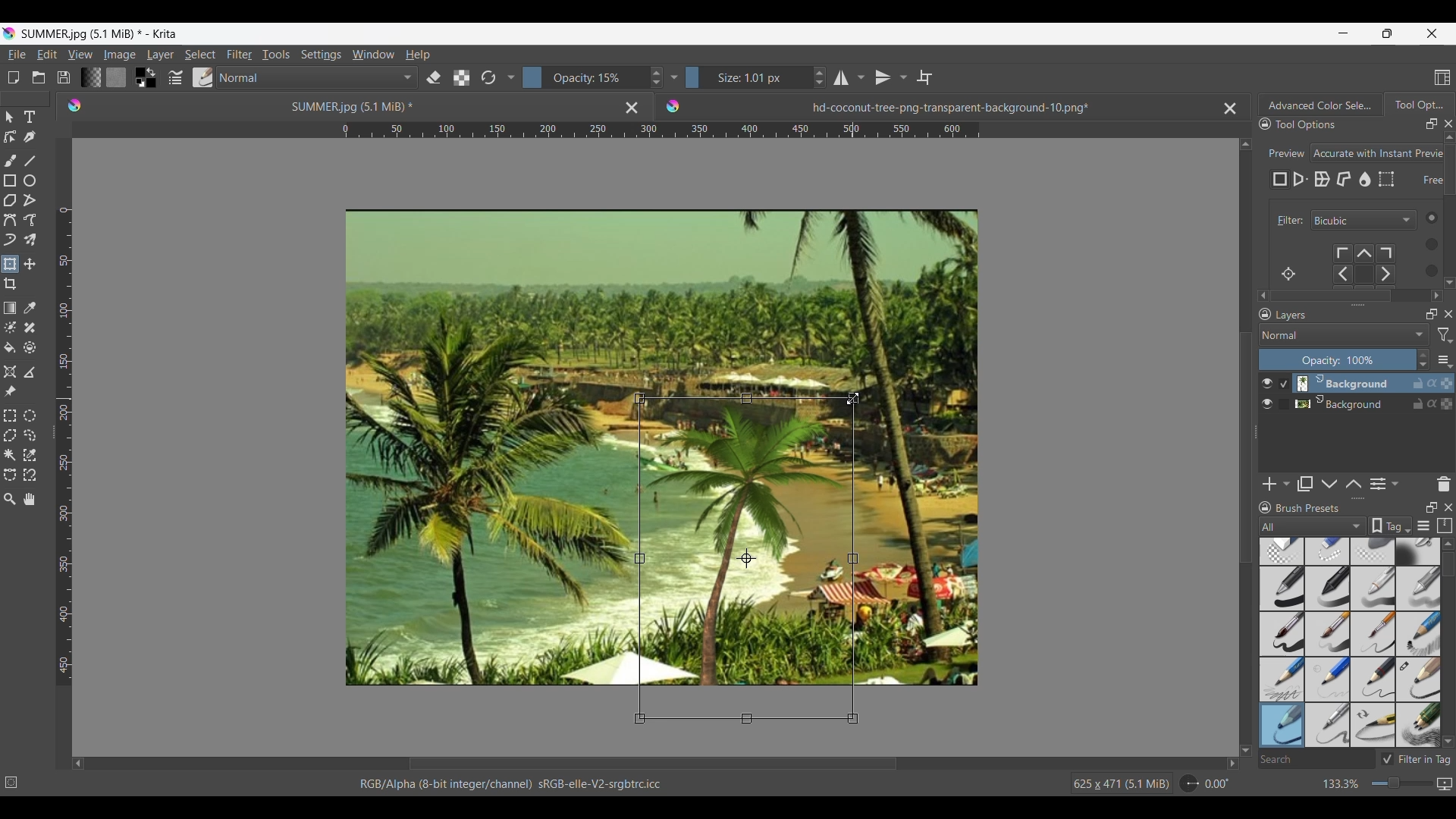  Describe the element at coordinates (653, 764) in the screenshot. I see `Horizontal slider` at that location.